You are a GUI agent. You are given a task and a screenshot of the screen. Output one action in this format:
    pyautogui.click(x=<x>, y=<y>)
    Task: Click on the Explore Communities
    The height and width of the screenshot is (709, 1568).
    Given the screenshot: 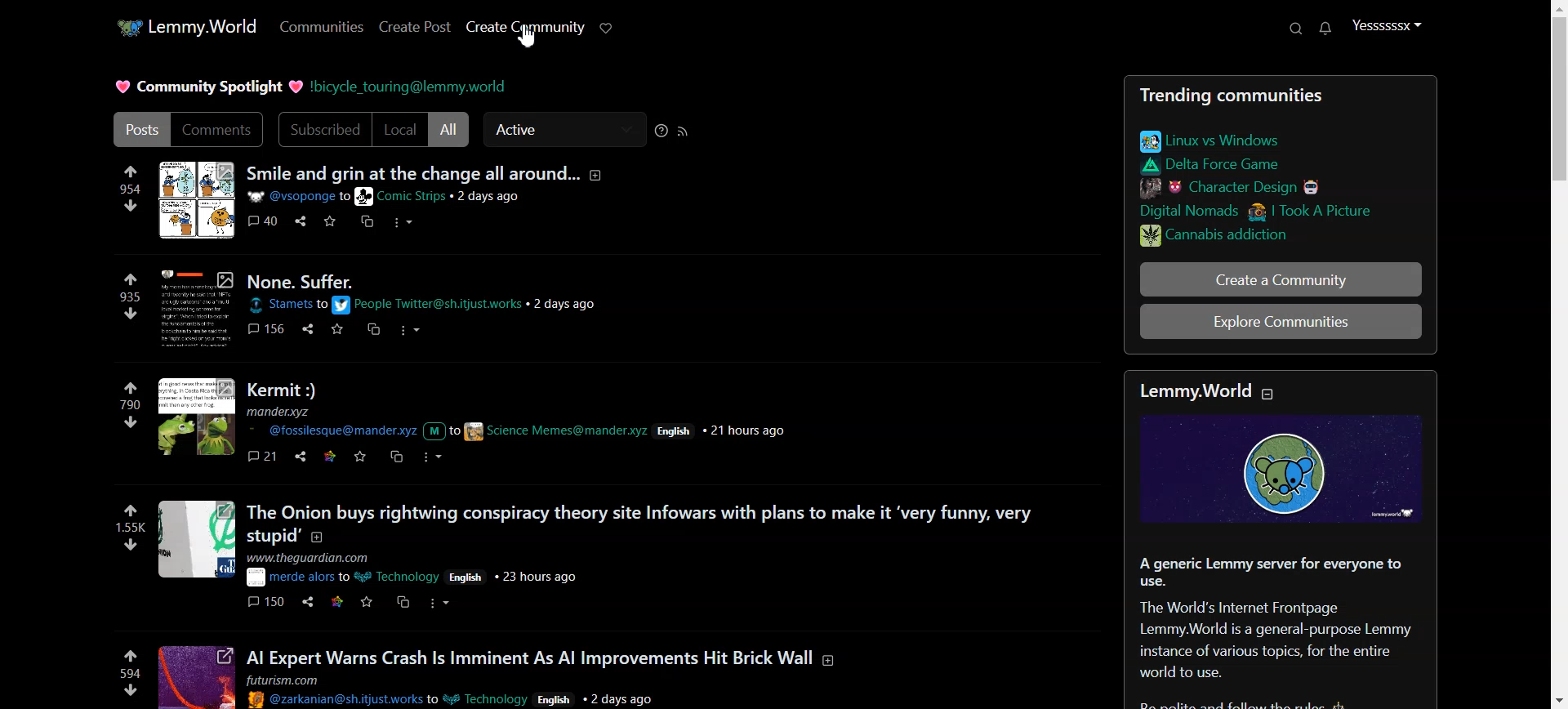 What is the action you would take?
    pyautogui.click(x=1281, y=321)
    